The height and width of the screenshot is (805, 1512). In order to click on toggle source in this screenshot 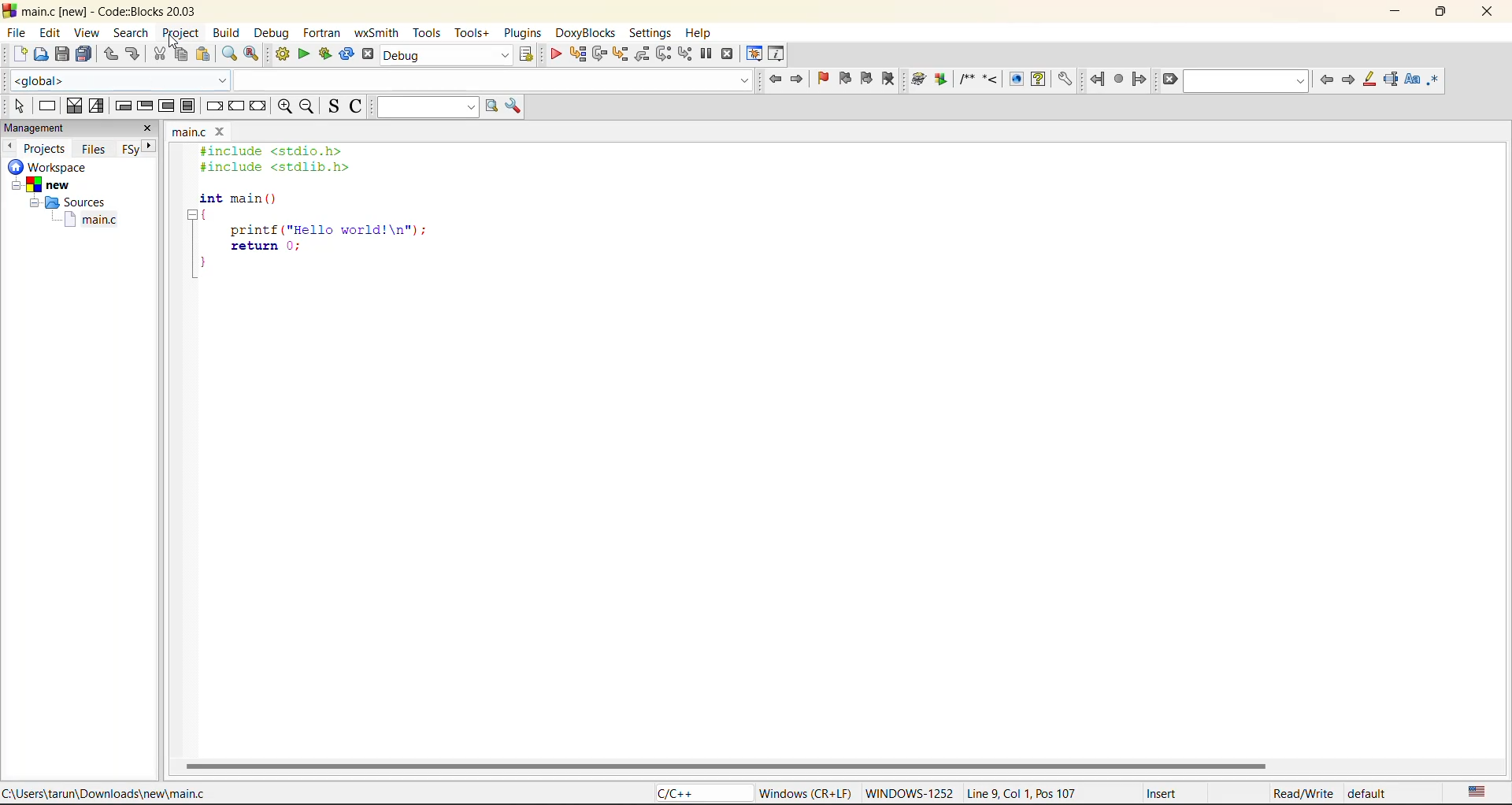, I will do `click(335, 107)`.